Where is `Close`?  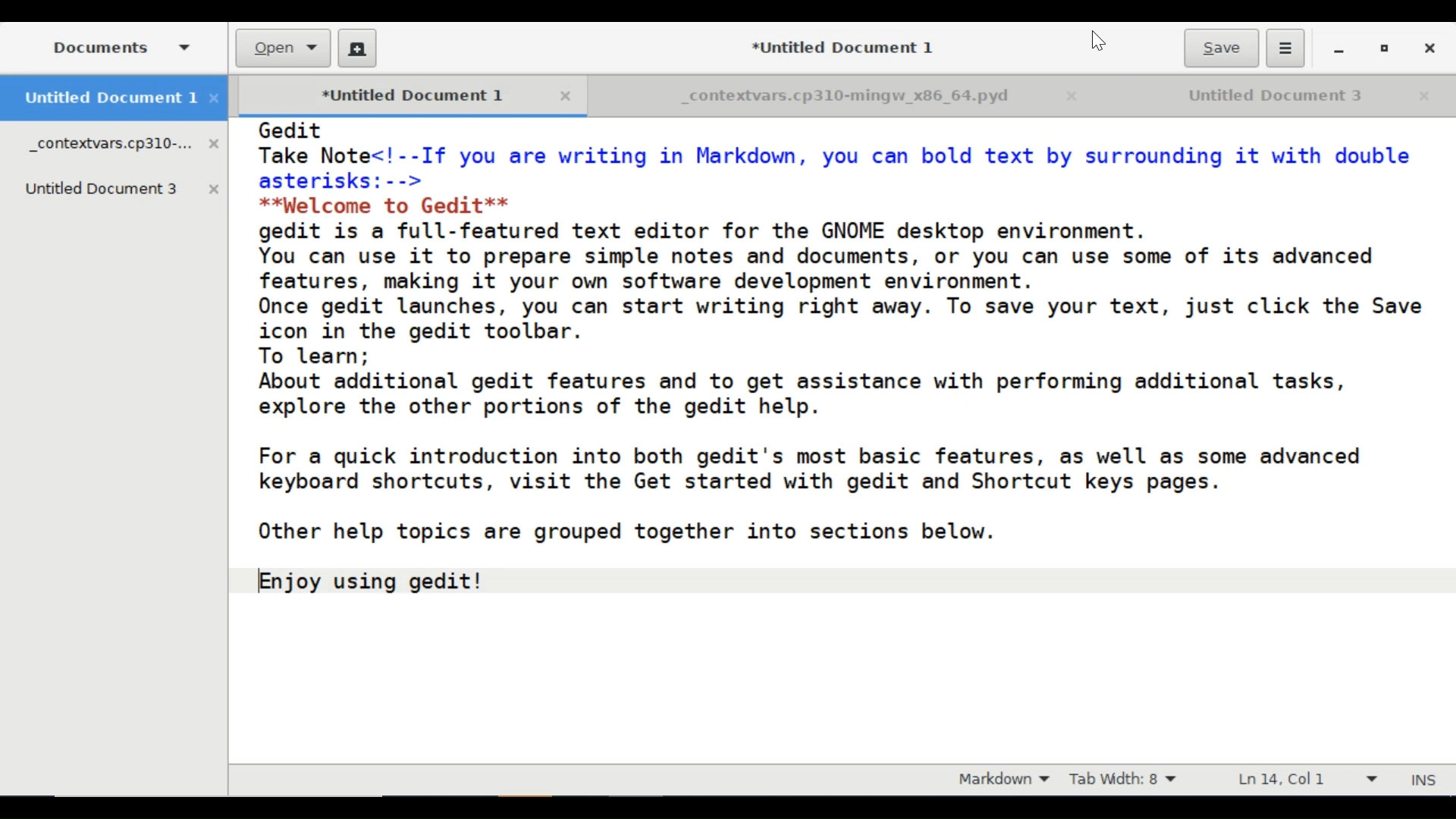 Close is located at coordinates (1428, 49).